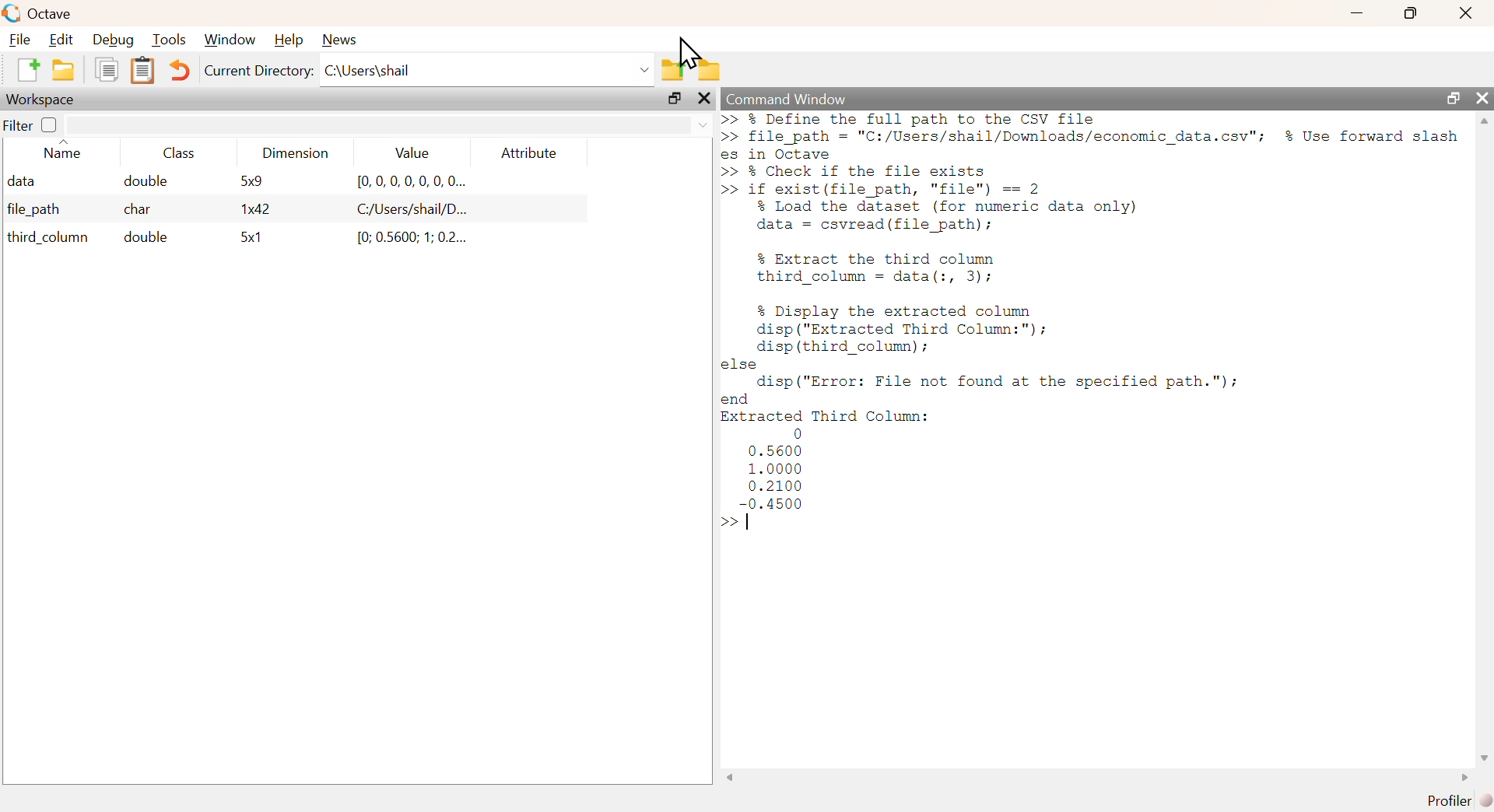  I want to click on Window, so click(230, 39).